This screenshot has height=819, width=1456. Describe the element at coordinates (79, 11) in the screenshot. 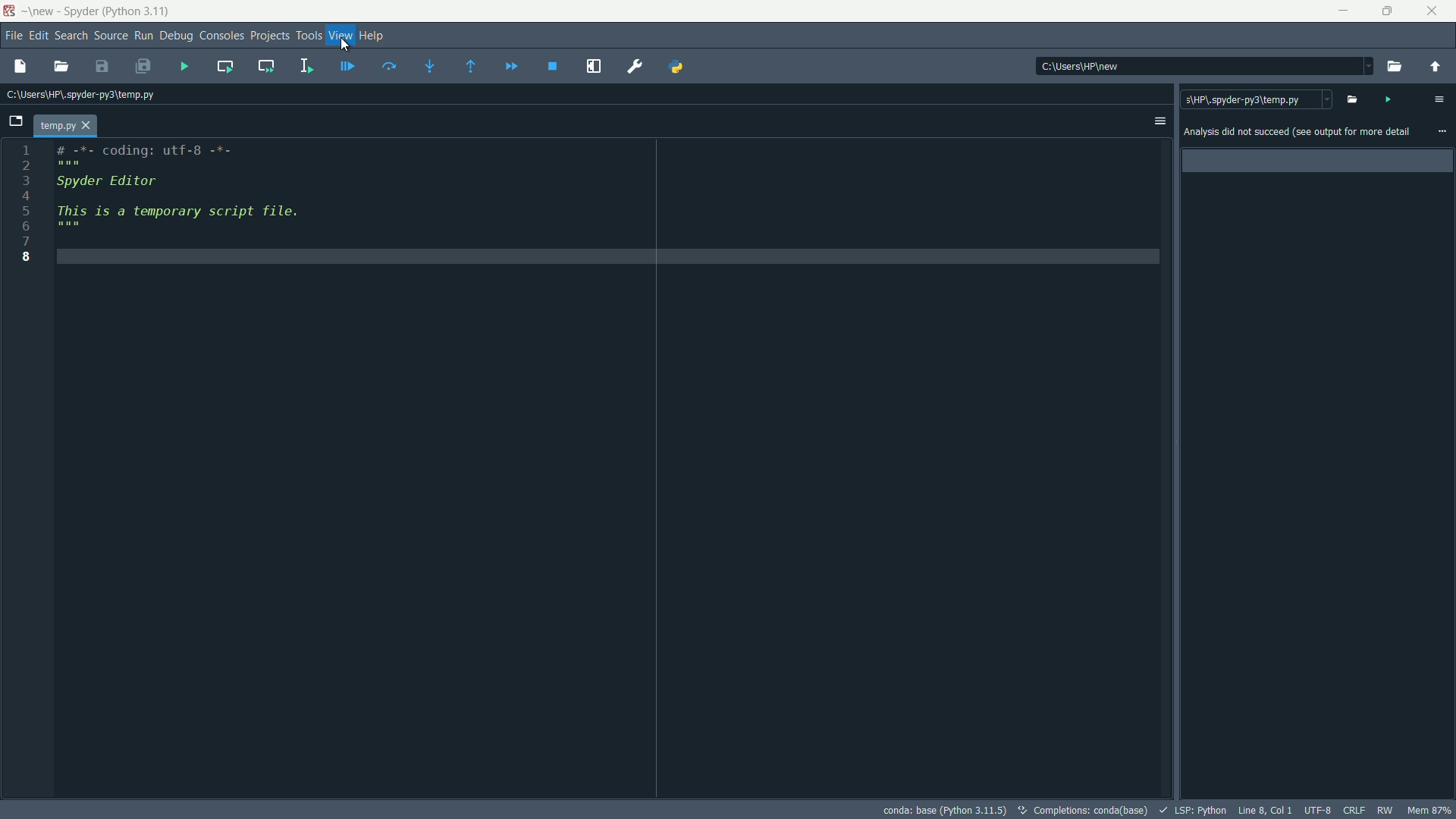

I see `Spyder` at that location.